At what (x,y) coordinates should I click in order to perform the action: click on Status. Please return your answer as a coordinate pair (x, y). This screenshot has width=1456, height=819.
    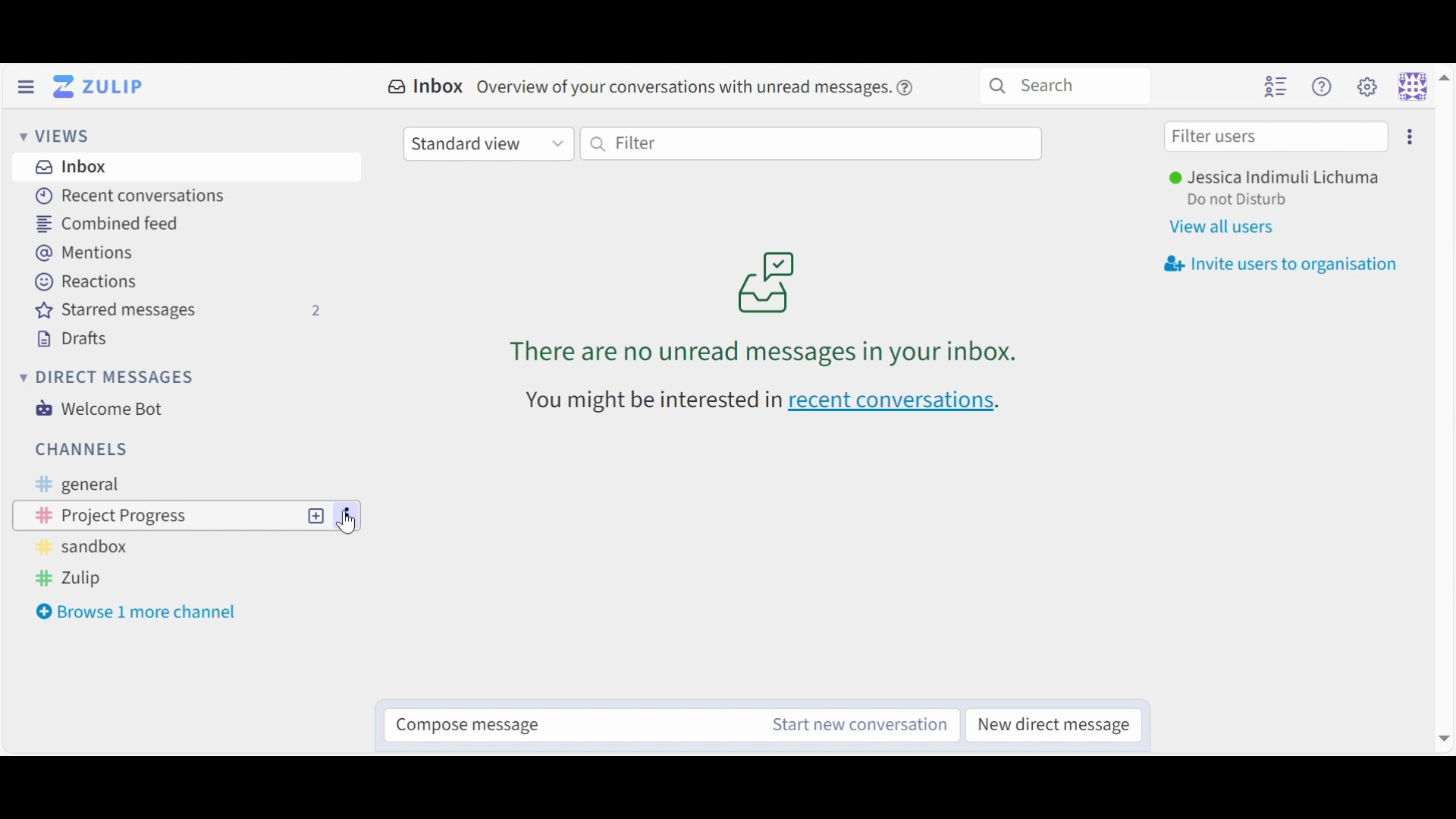
    Looking at the image, I should click on (1238, 202).